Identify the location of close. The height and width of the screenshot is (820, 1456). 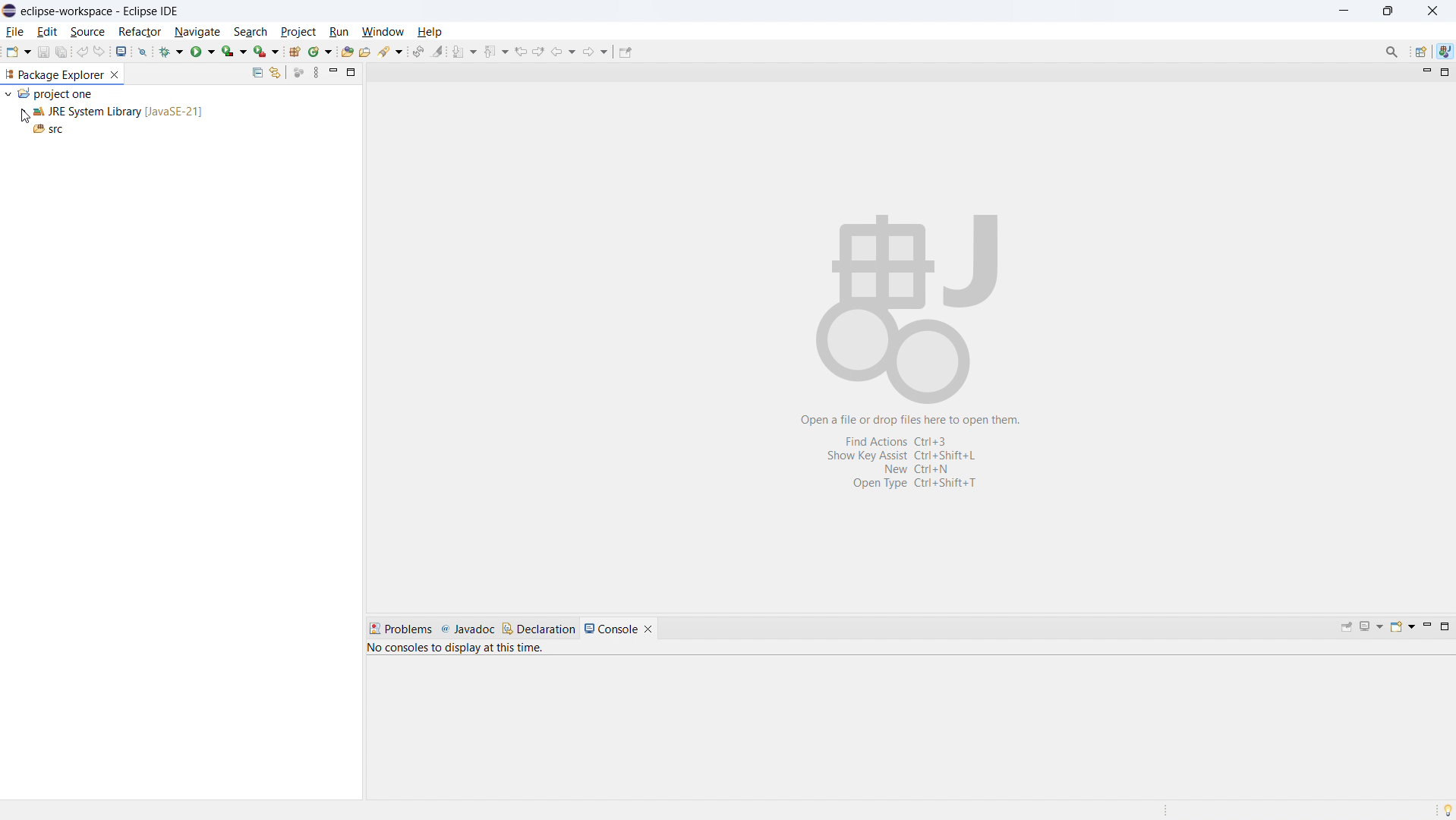
(1432, 8).